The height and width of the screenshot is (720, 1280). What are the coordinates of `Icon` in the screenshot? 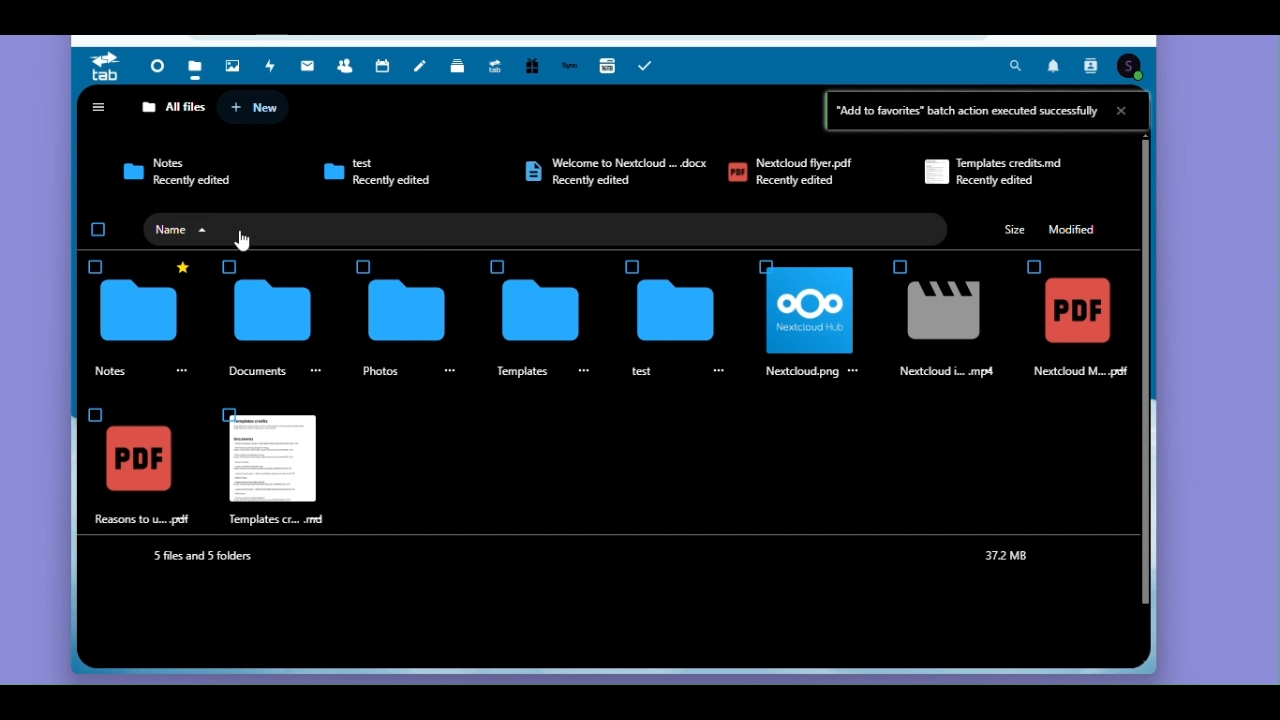 It's located at (810, 311).